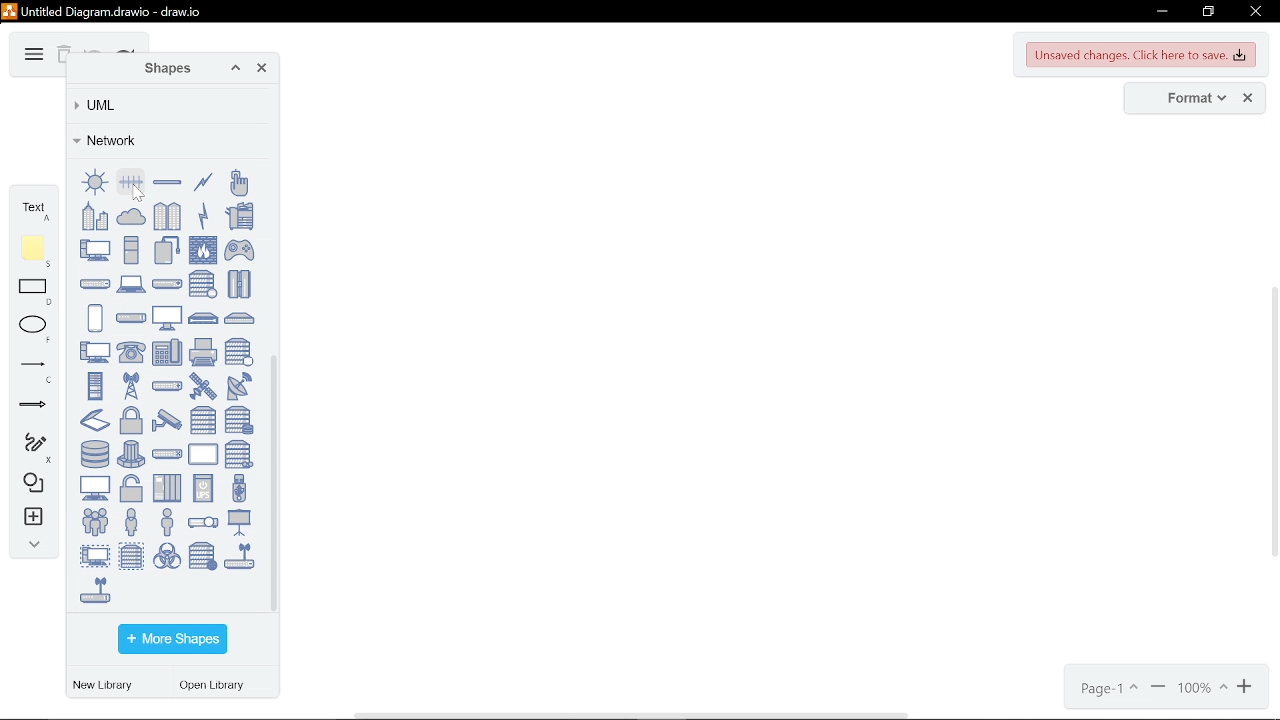  What do you see at coordinates (167, 420) in the screenshot?
I see `security camera` at bounding box center [167, 420].